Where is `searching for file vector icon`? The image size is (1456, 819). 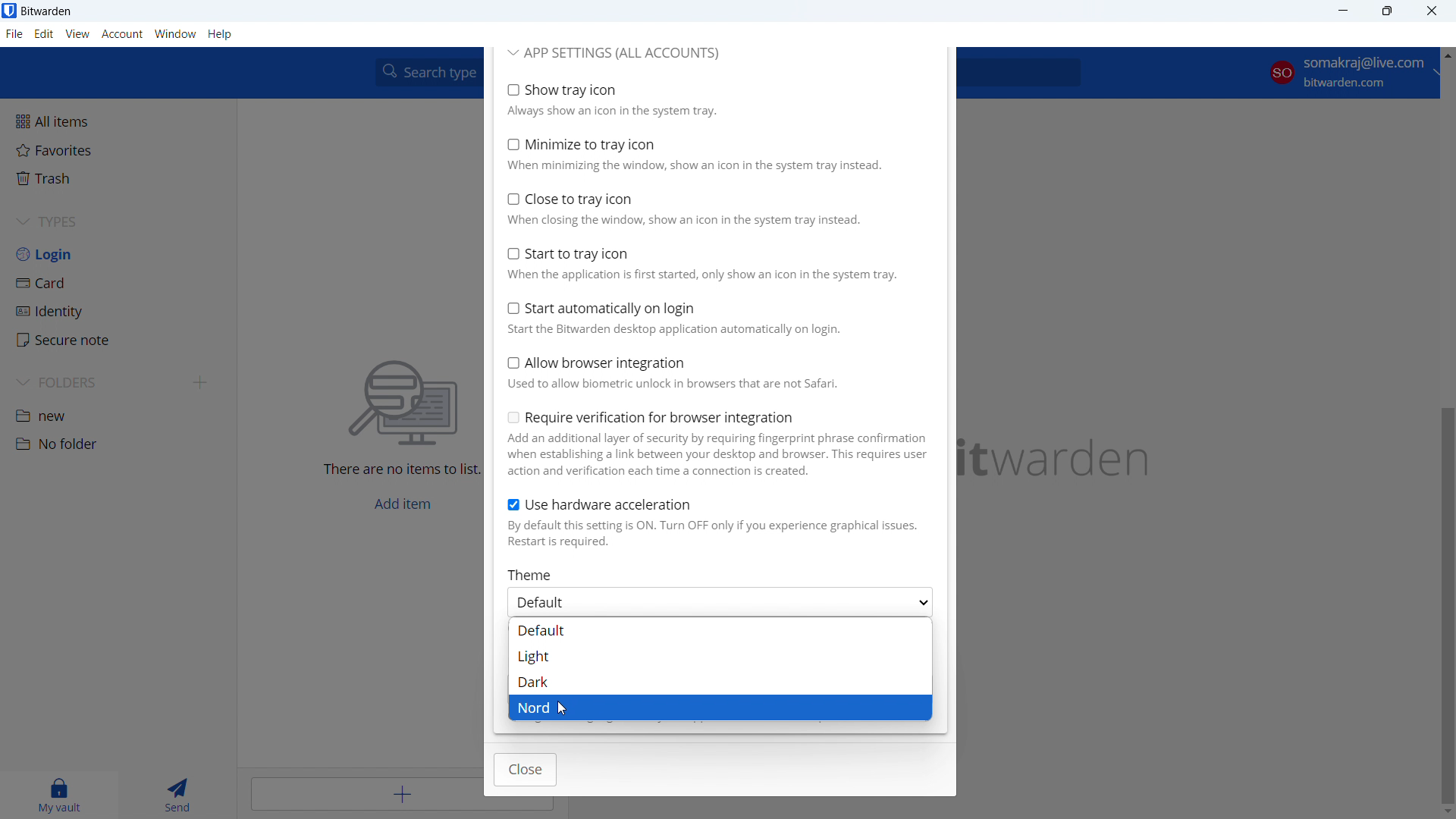 searching for file vector icon is located at coordinates (404, 404).